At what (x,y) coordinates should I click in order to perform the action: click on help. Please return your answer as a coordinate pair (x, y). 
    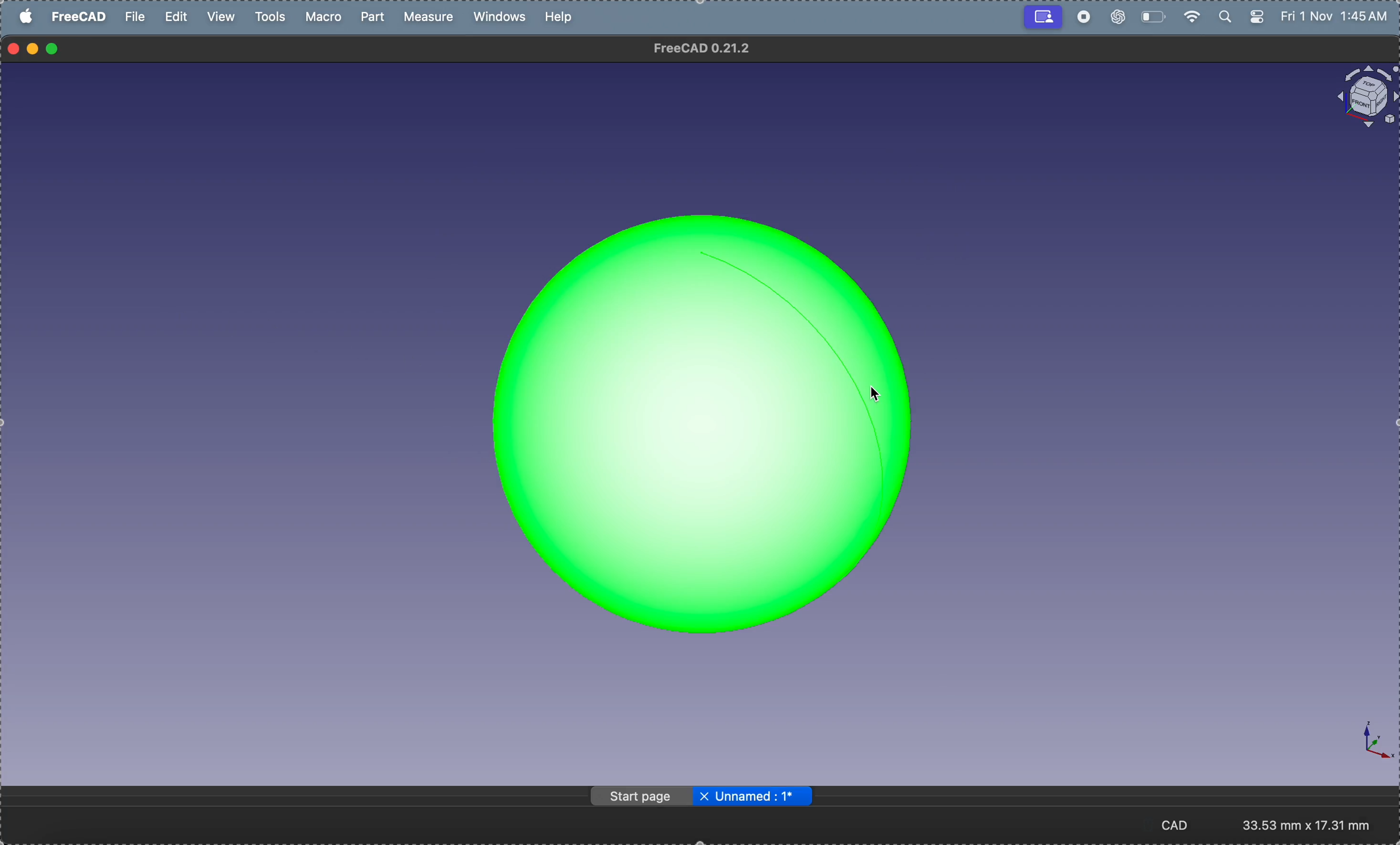
    Looking at the image, I should click on (561, 16).